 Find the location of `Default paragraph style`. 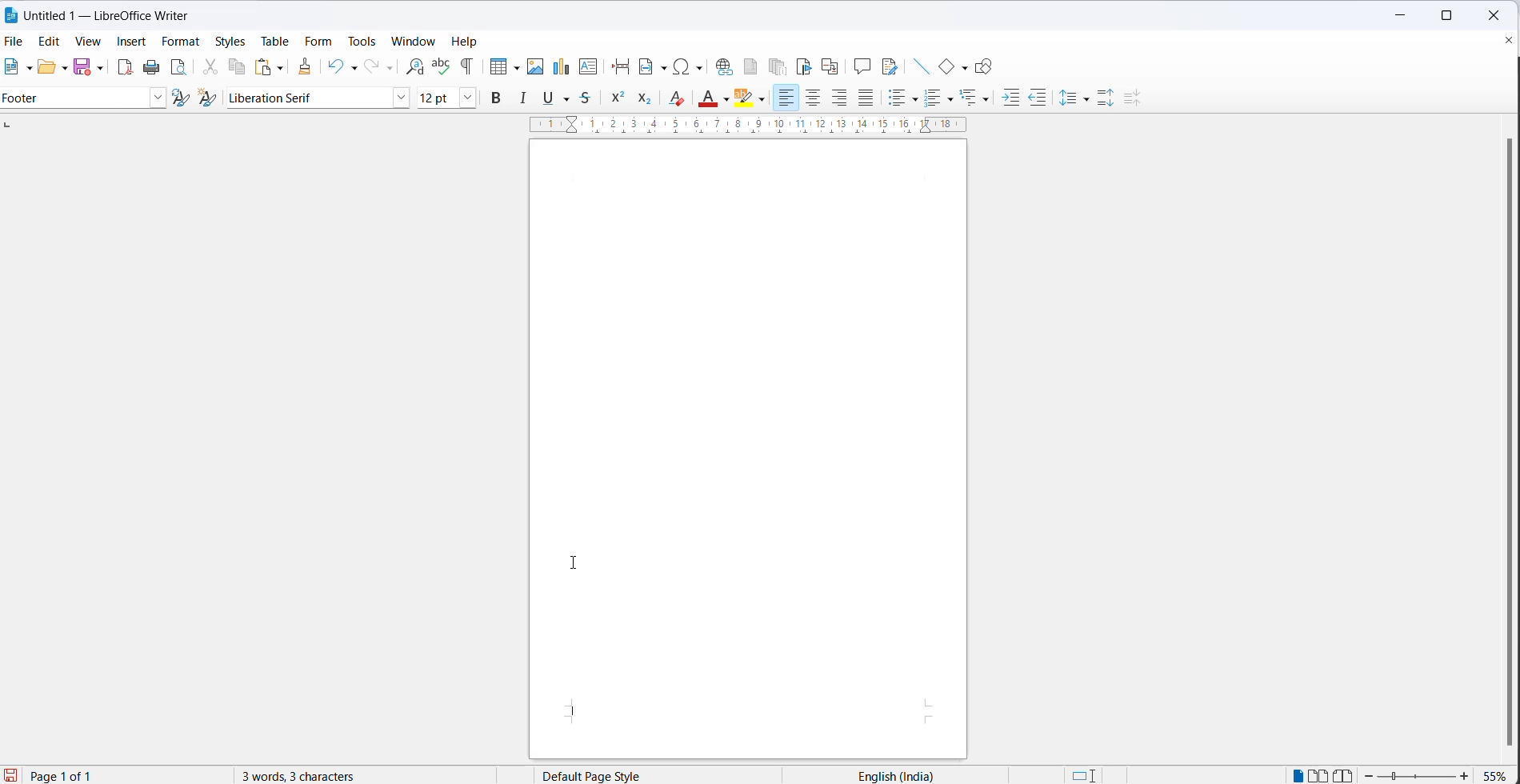

Default paragraph style is located at coordinates (74, 98).